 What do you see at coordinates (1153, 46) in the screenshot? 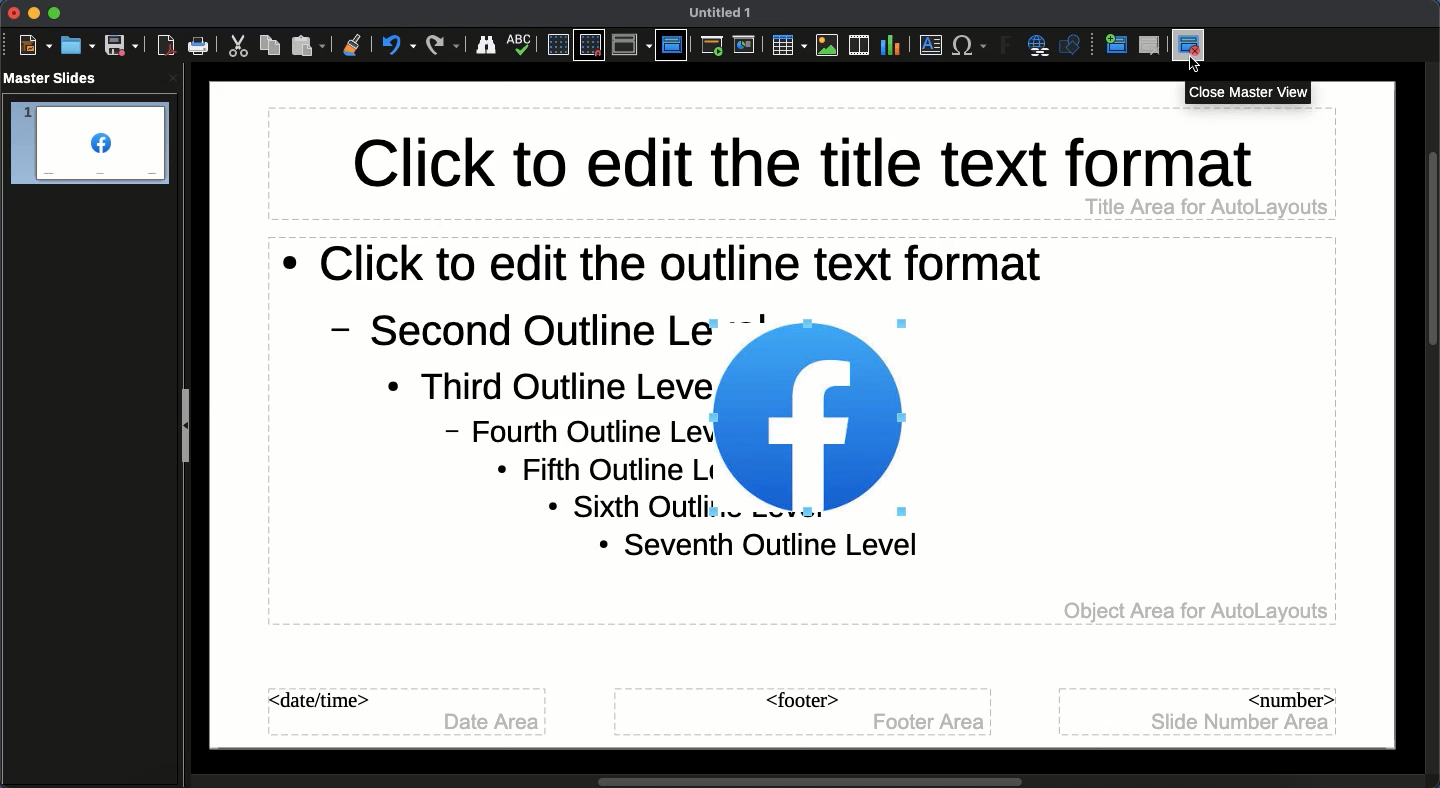
I see `Delete master` at bounding box center [1153, 46].